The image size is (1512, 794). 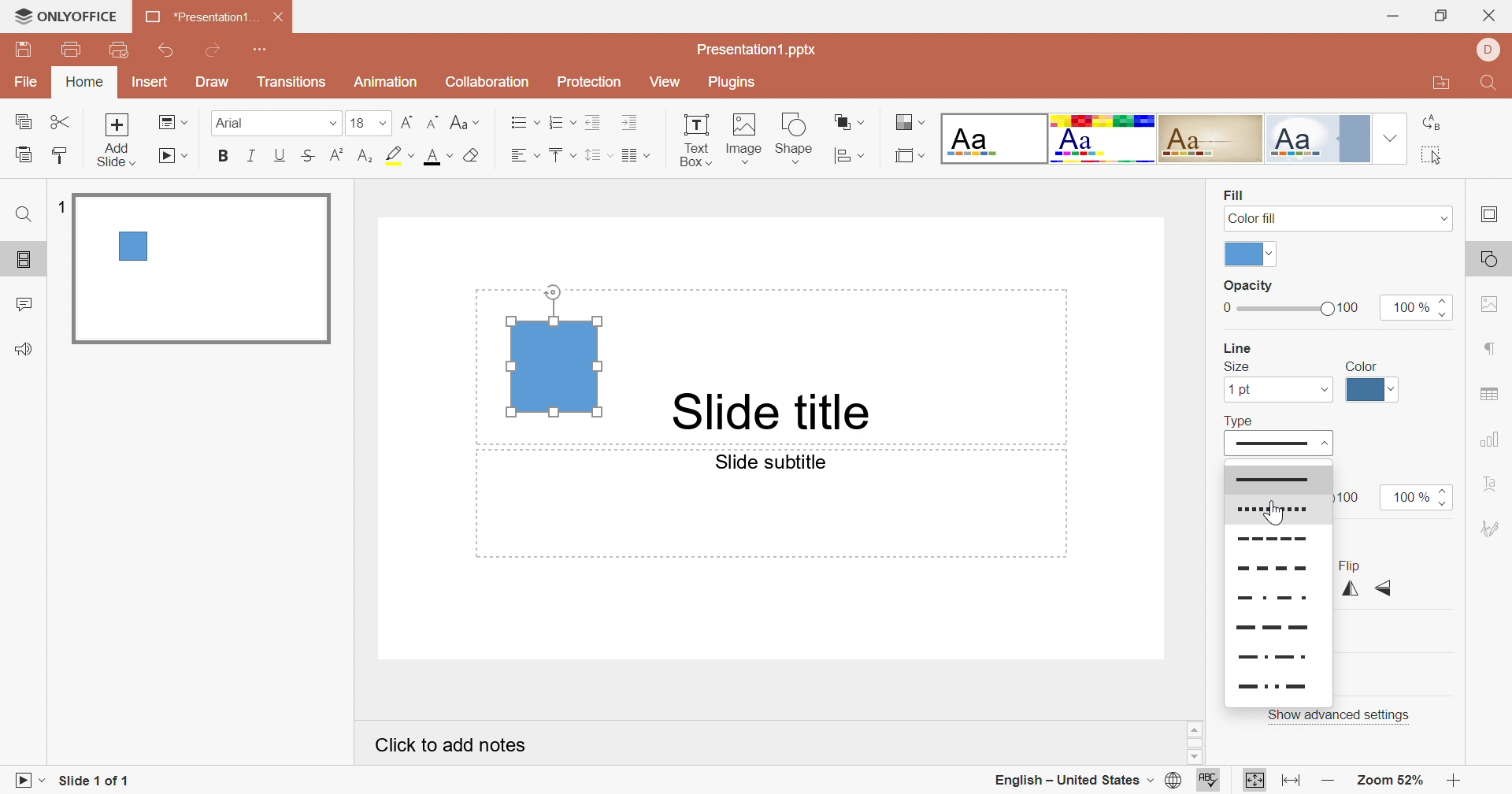 What do you see at coordinates (1277, 479) in the screenshot?
I see `Line` at bounding box center [1277, 479].